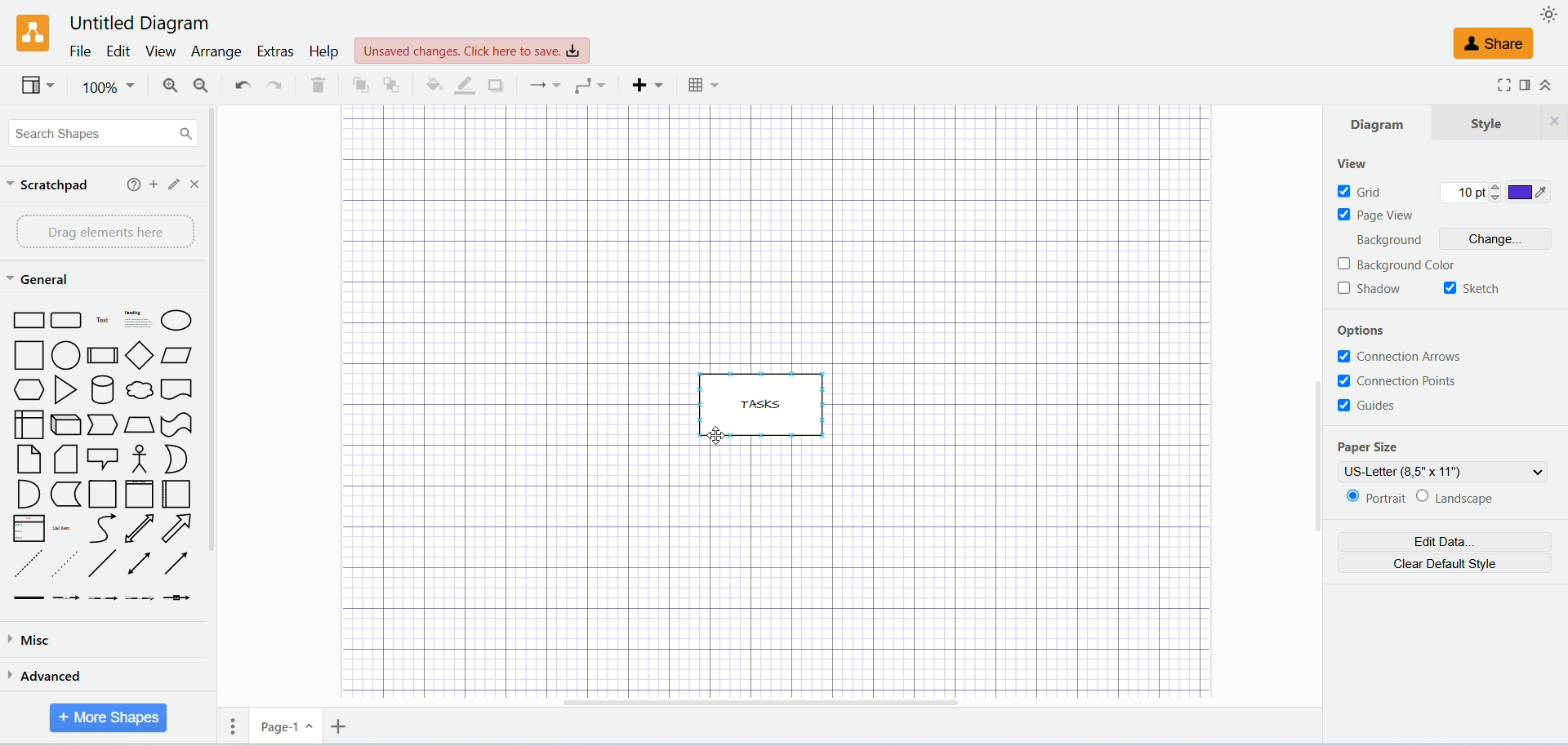  I want to click on full screen, so click(1498, 86).